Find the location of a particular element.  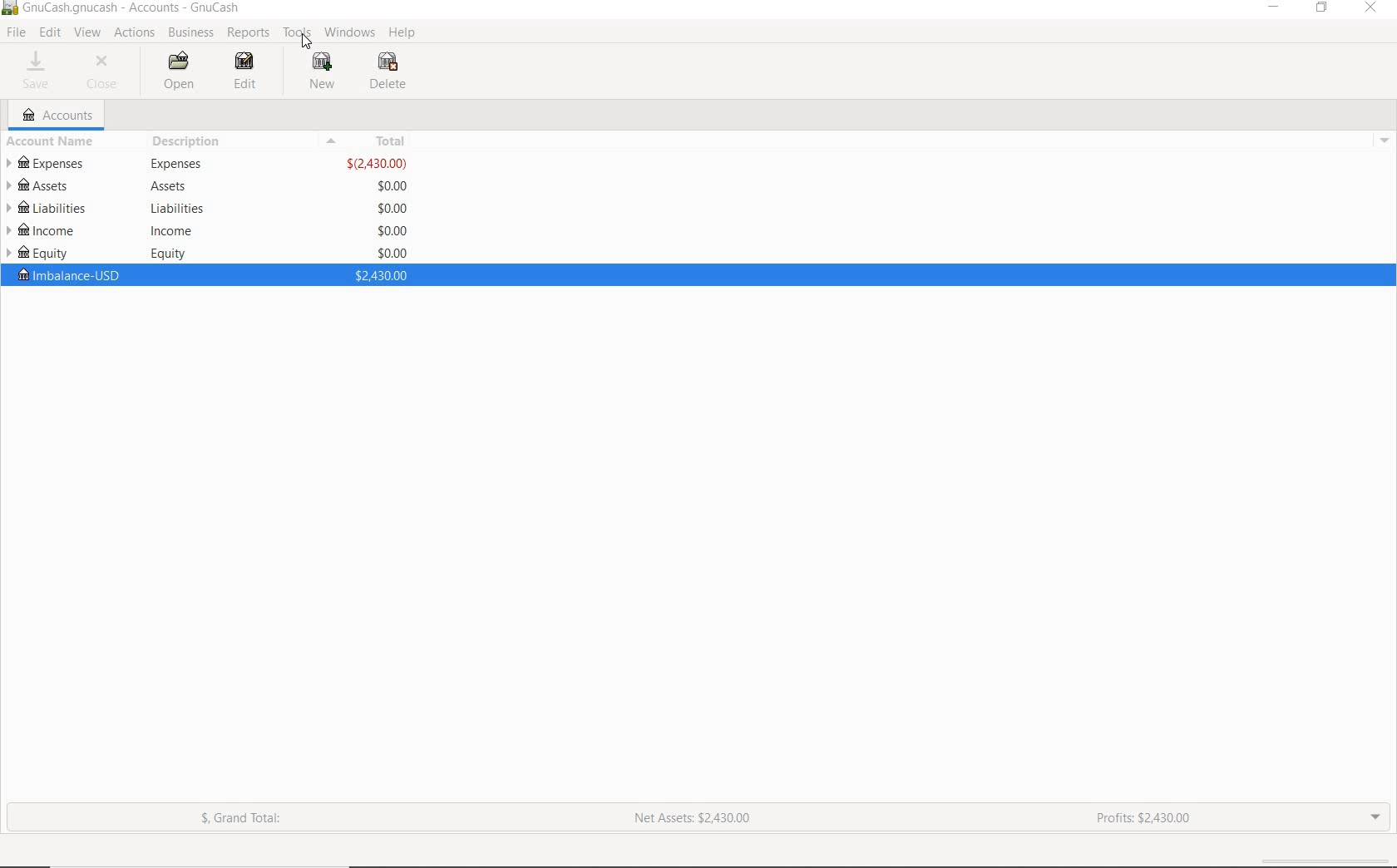

$0.00 is located at coordinates (393, 186).